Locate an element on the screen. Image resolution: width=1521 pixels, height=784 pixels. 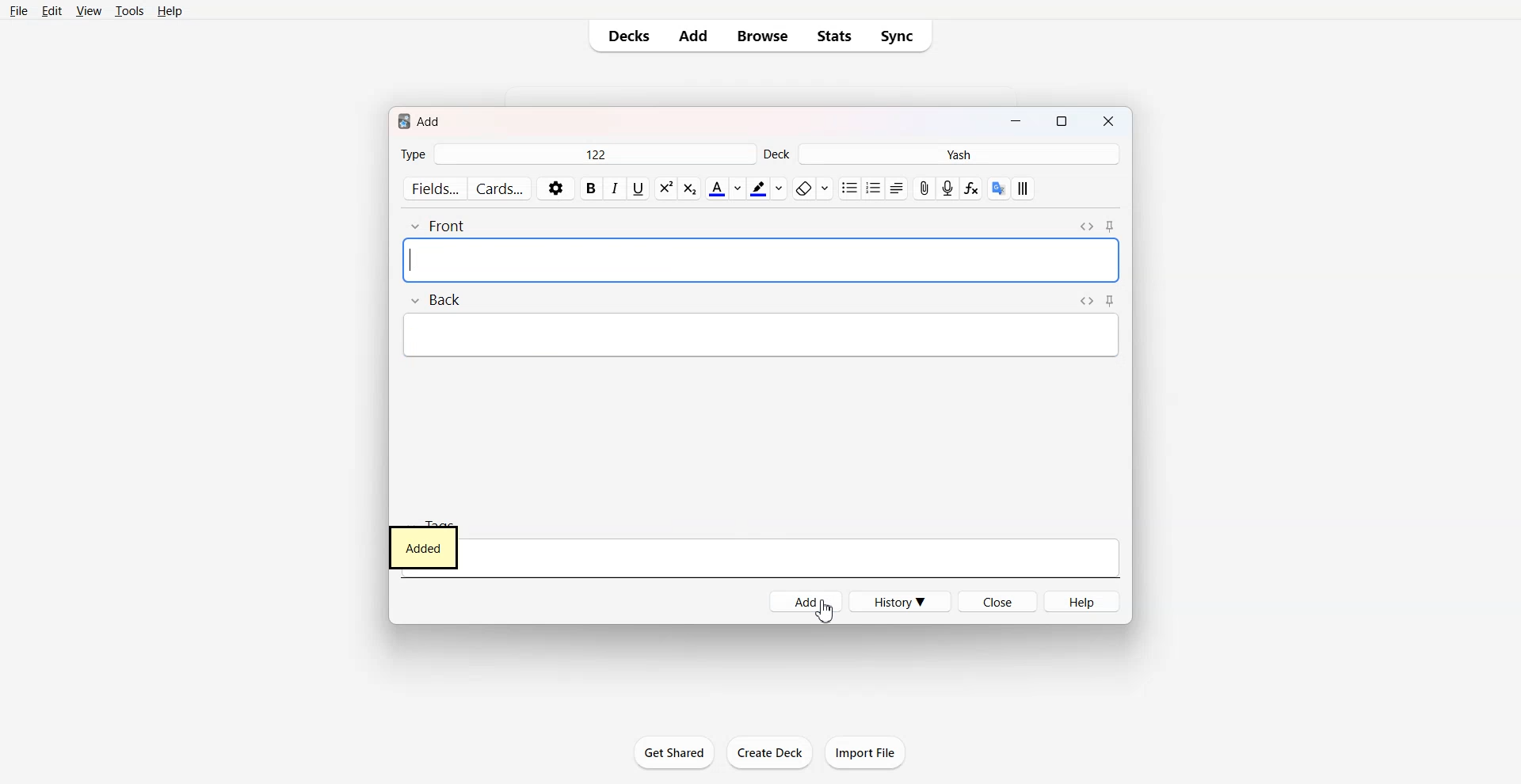
Maximize is located at coordinates (1065, 123).